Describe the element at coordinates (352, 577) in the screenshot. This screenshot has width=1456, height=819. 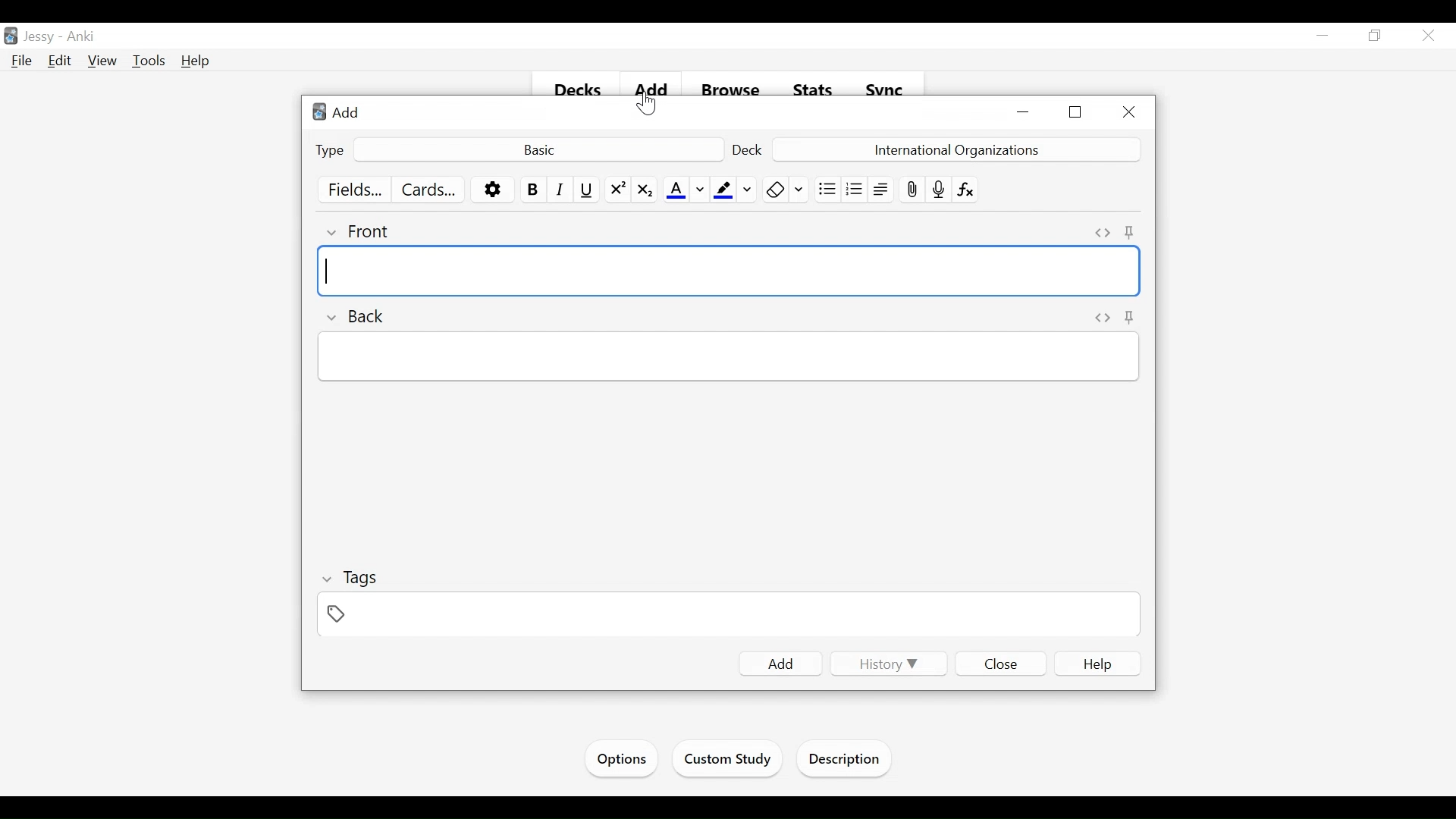
I see `Tags` at that location.